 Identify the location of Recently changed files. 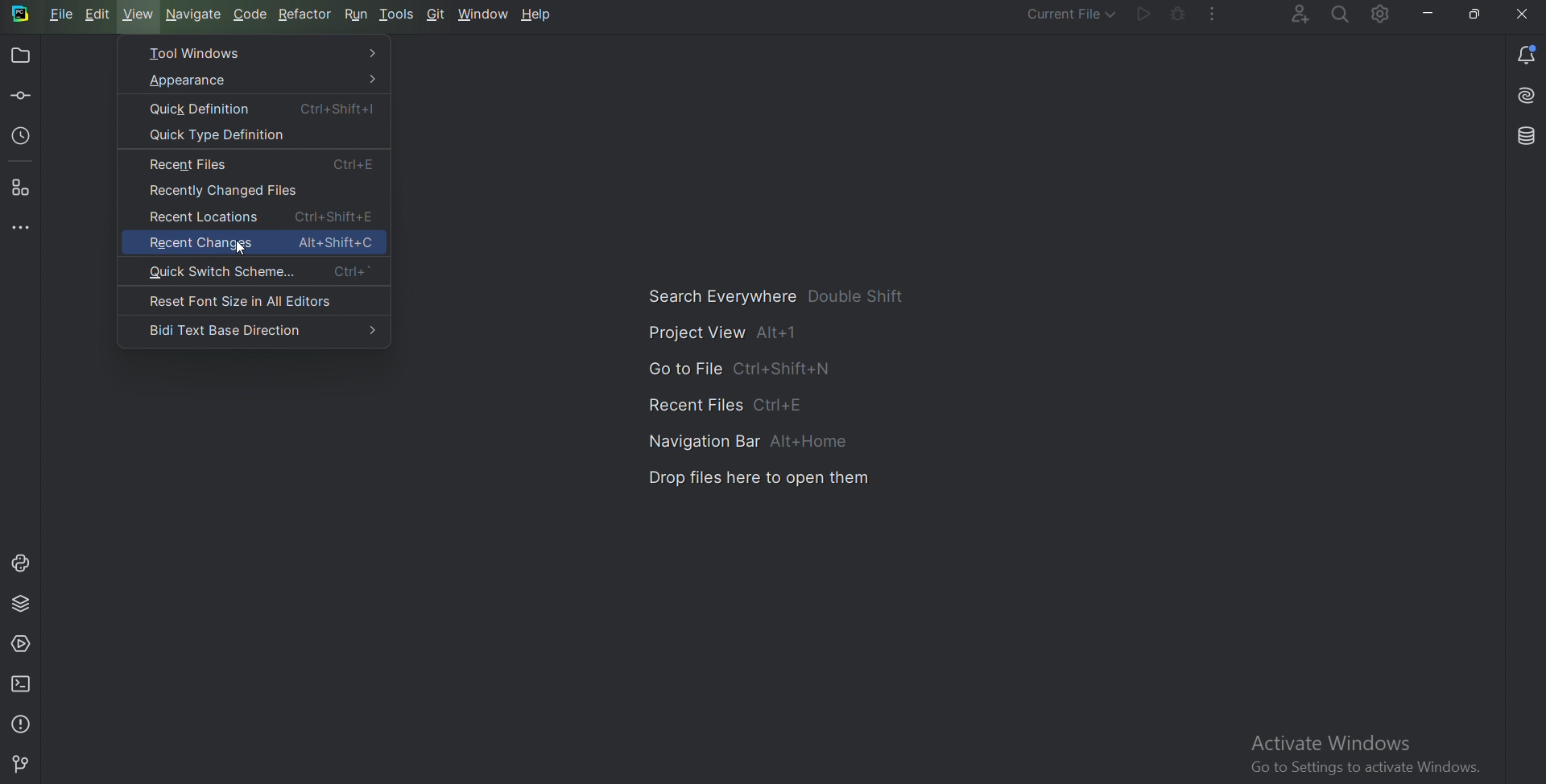
(254, 189).